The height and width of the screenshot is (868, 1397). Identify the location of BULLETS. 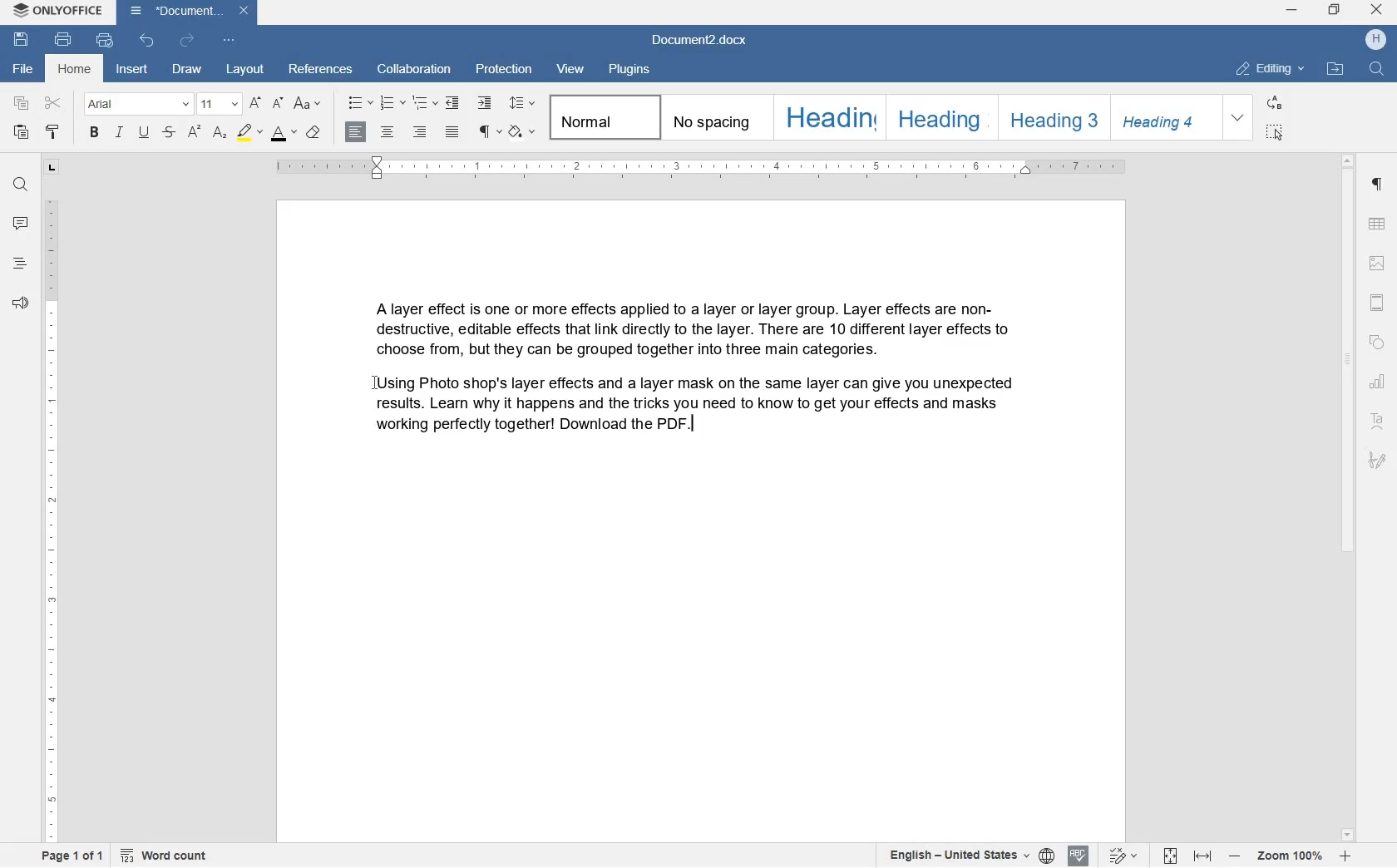
(359, 102).